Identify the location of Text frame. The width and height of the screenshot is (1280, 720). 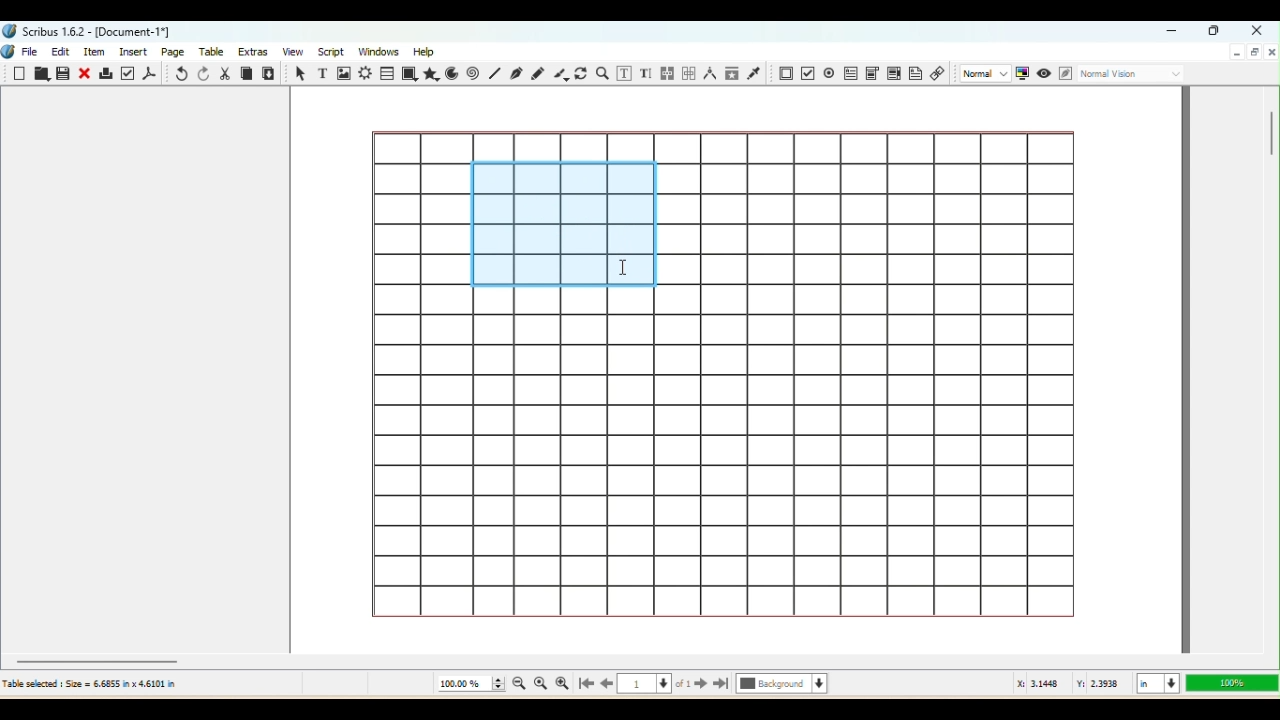
(320, 72).